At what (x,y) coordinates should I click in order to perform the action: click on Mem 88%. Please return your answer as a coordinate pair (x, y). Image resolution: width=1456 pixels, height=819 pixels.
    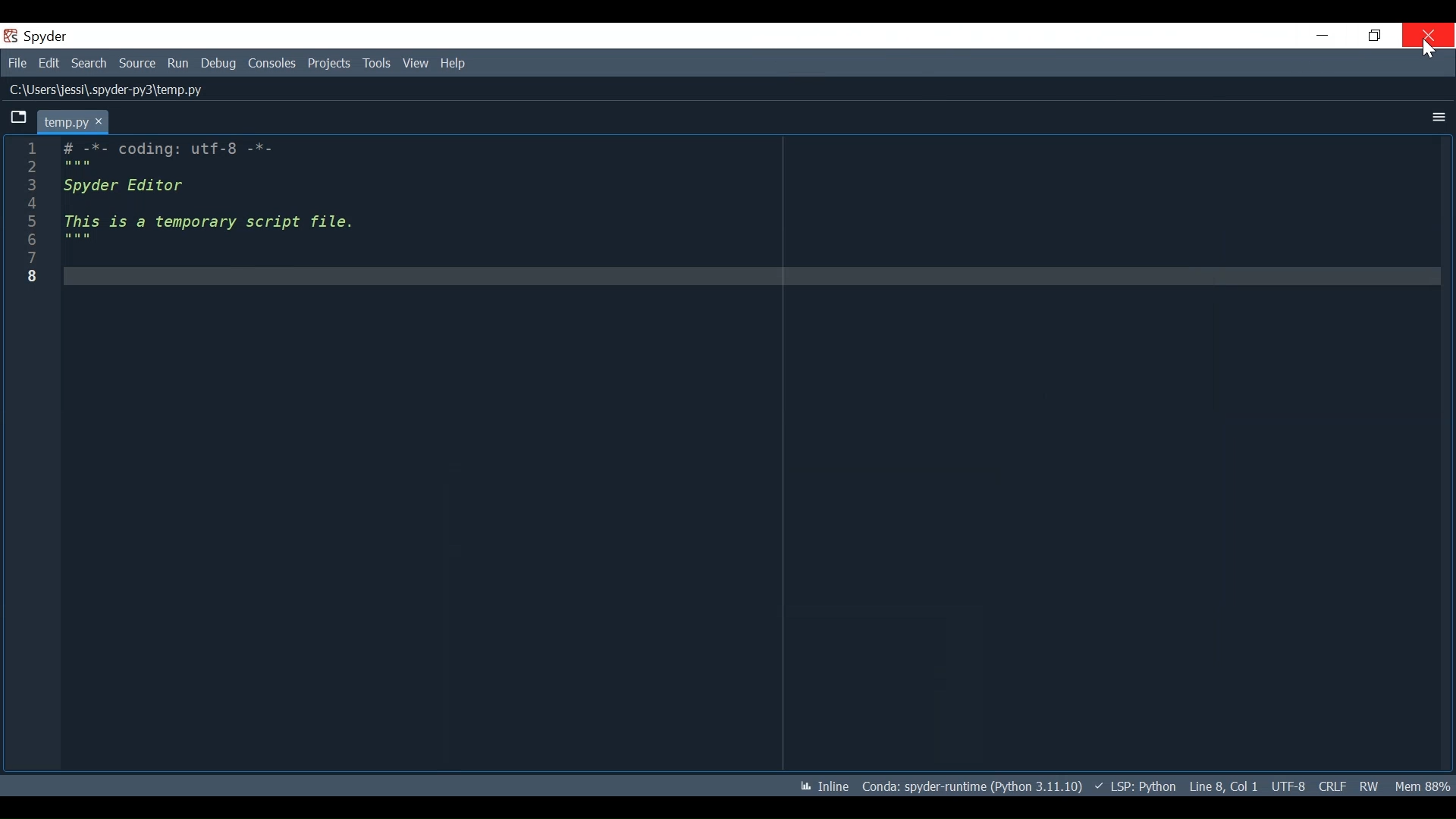
    Looking at the image, I should click on (1423, 786).